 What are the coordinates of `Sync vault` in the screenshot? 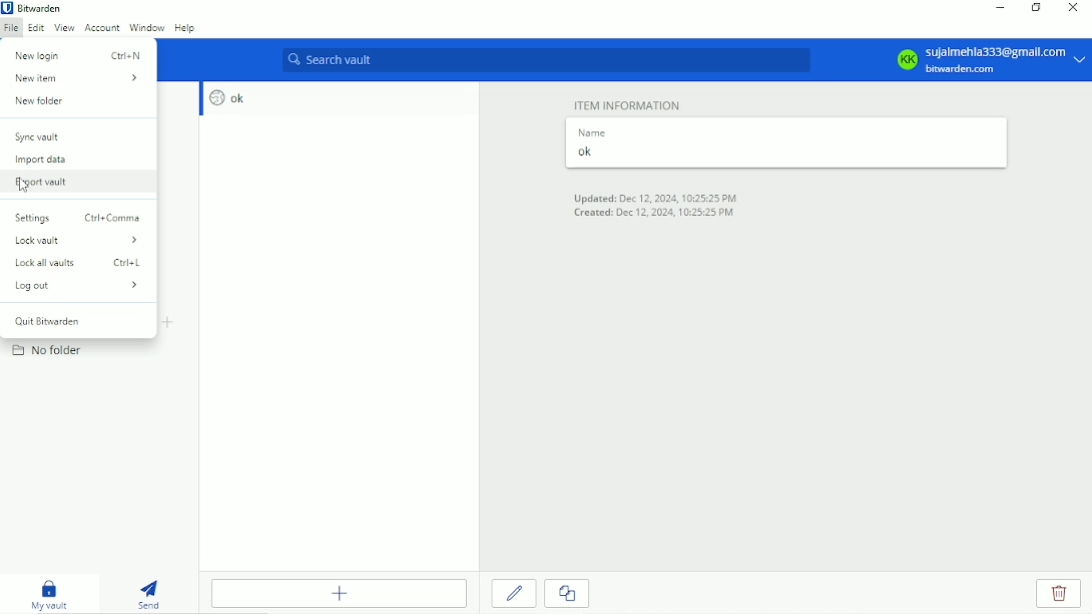 It's located at (37, 137).